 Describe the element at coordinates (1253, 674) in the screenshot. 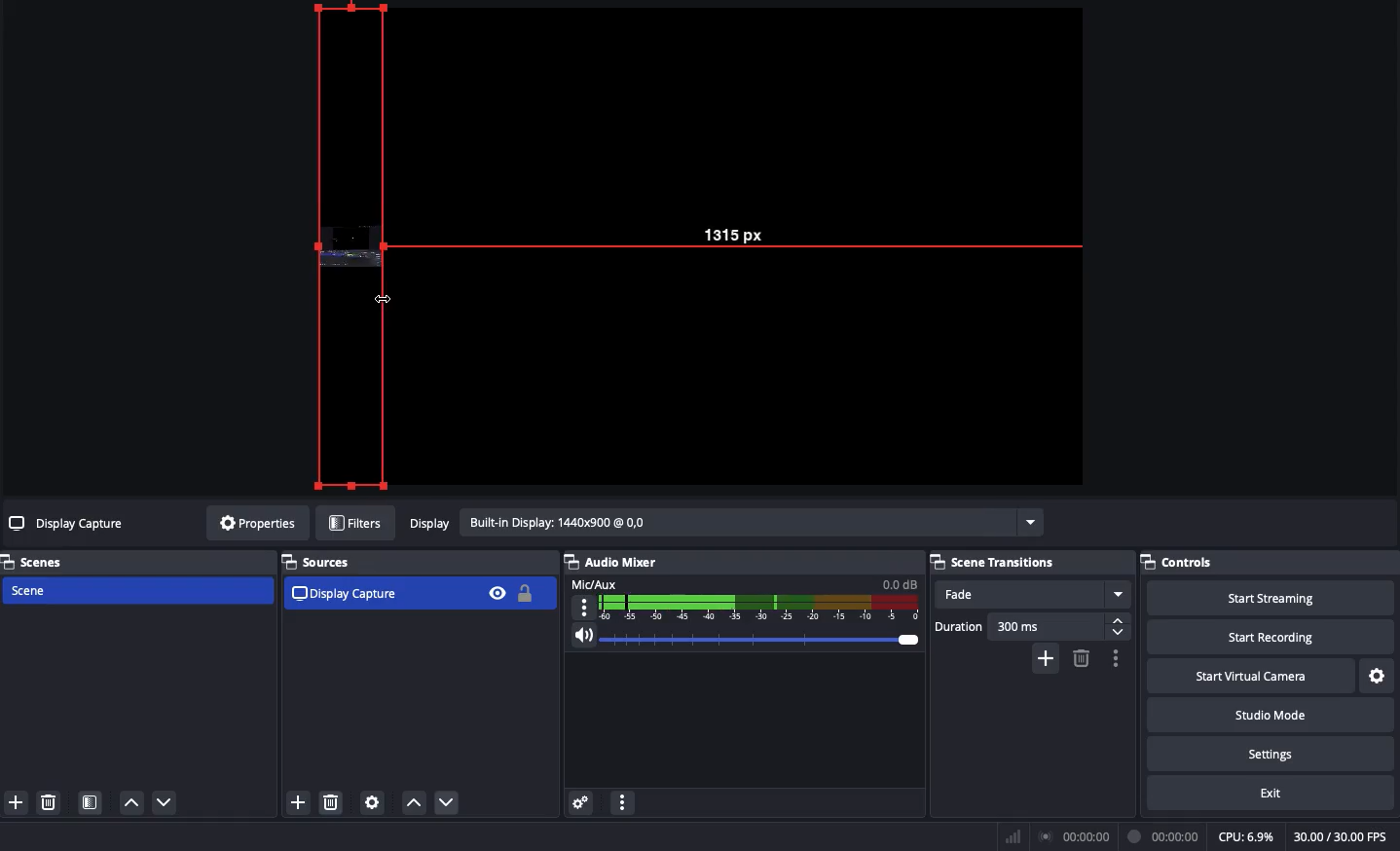

I see `Start virtual camera` at that location.